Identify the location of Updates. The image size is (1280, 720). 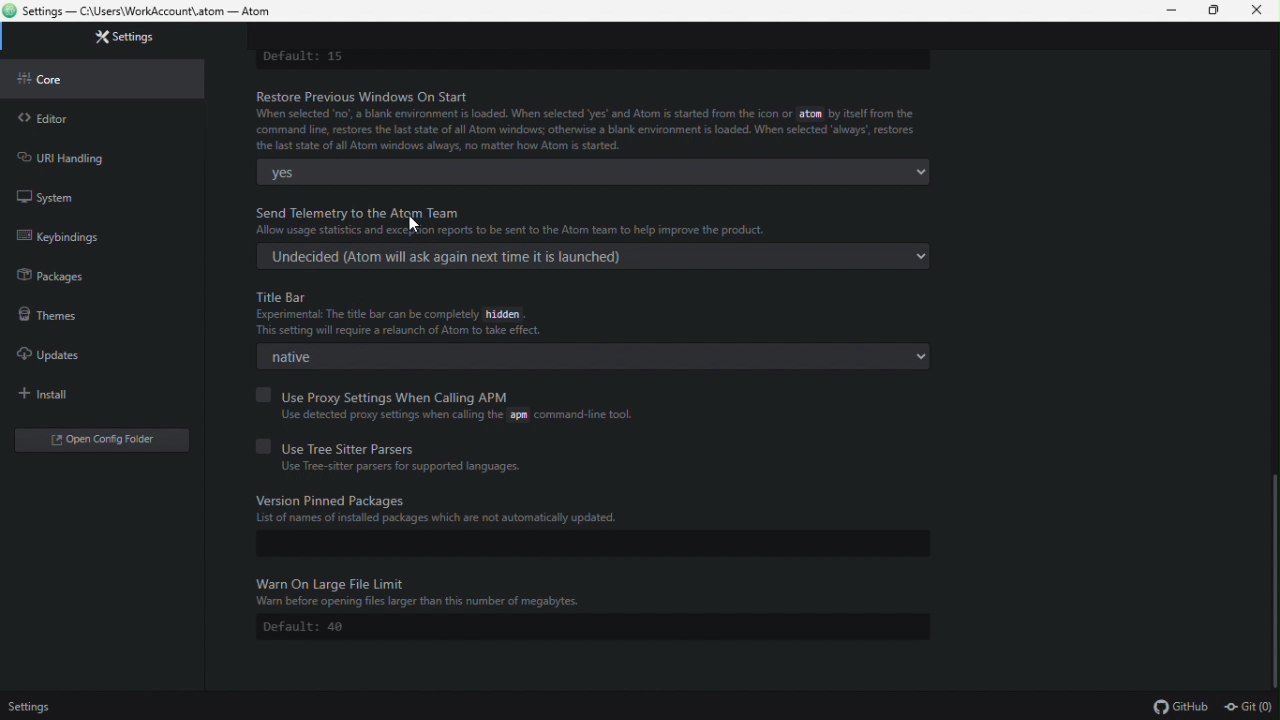
(65, 355).